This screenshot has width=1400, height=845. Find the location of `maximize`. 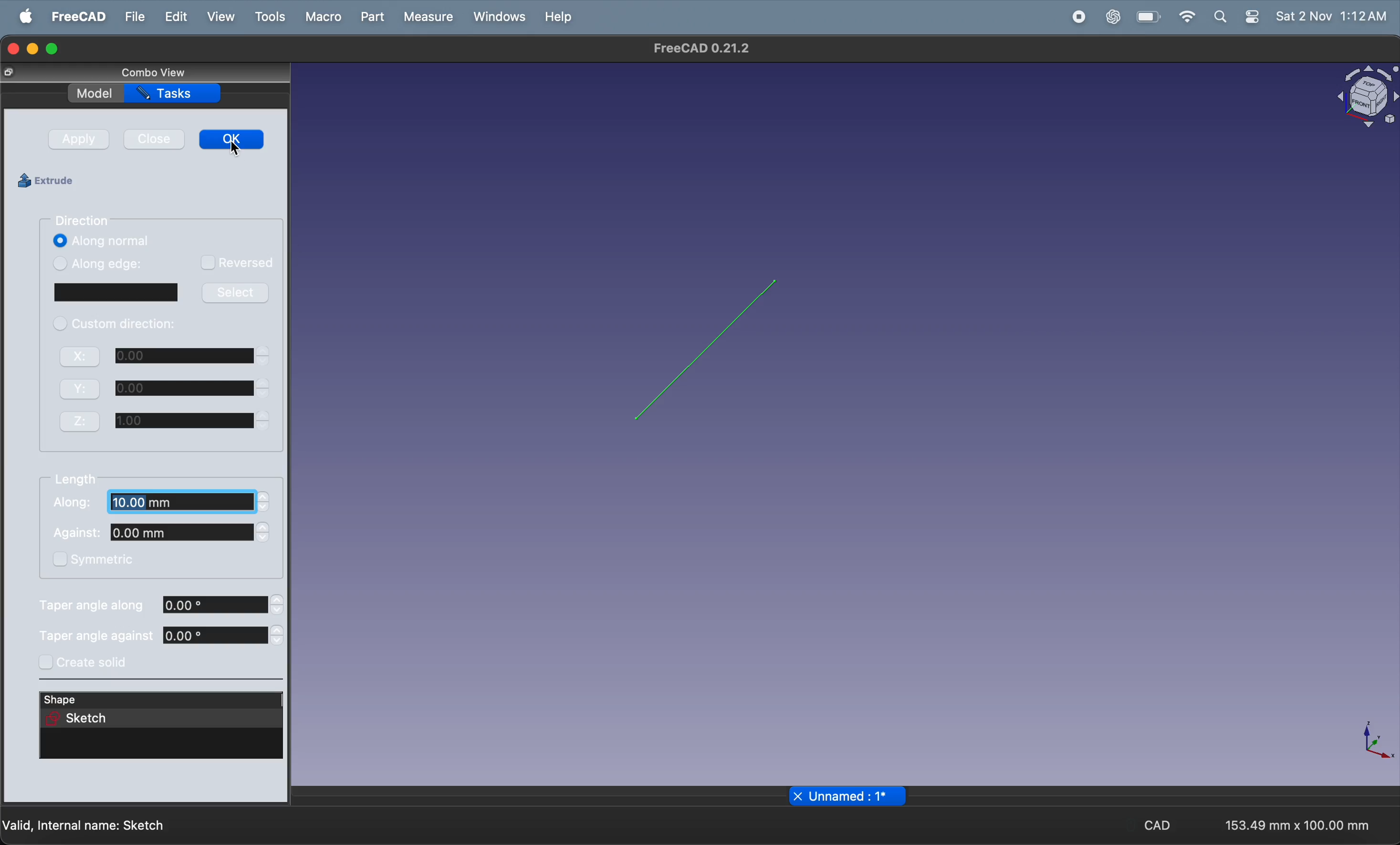

maximize is located at coordinates (53, 50).